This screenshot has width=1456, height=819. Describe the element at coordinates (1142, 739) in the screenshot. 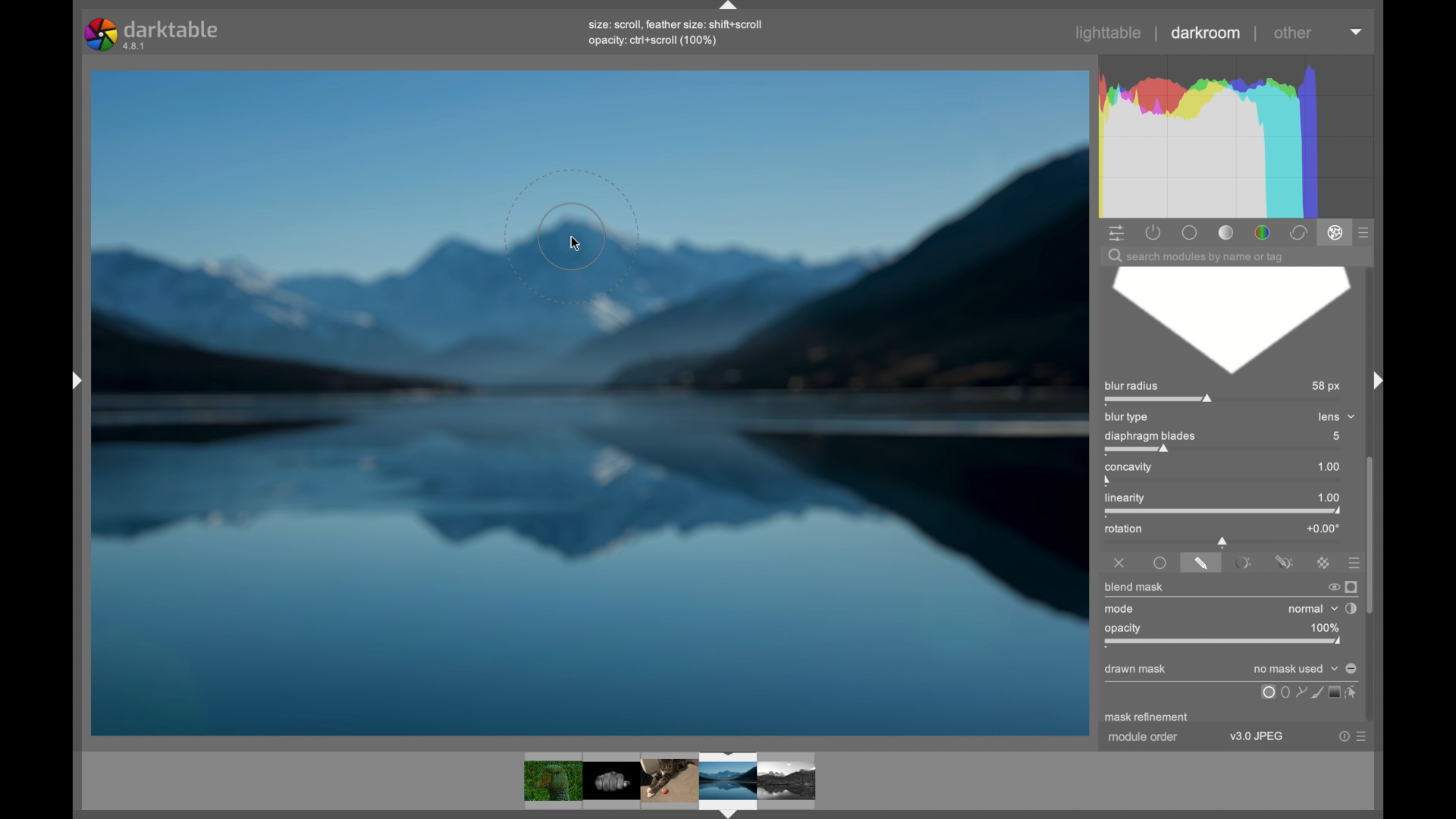

I see `module order` at that location.